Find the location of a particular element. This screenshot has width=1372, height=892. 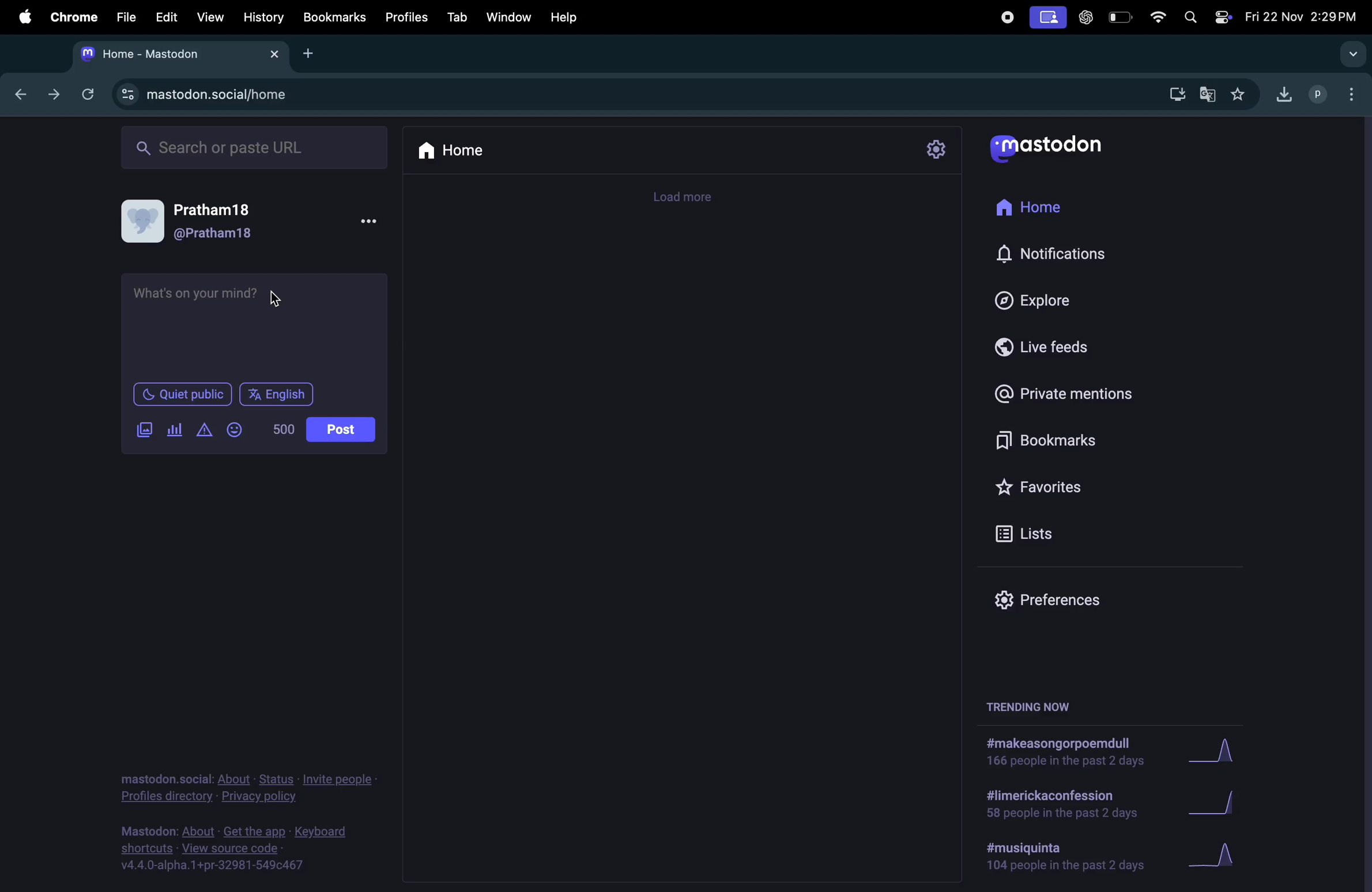

hashtags is located at coordinates (1066, 805).